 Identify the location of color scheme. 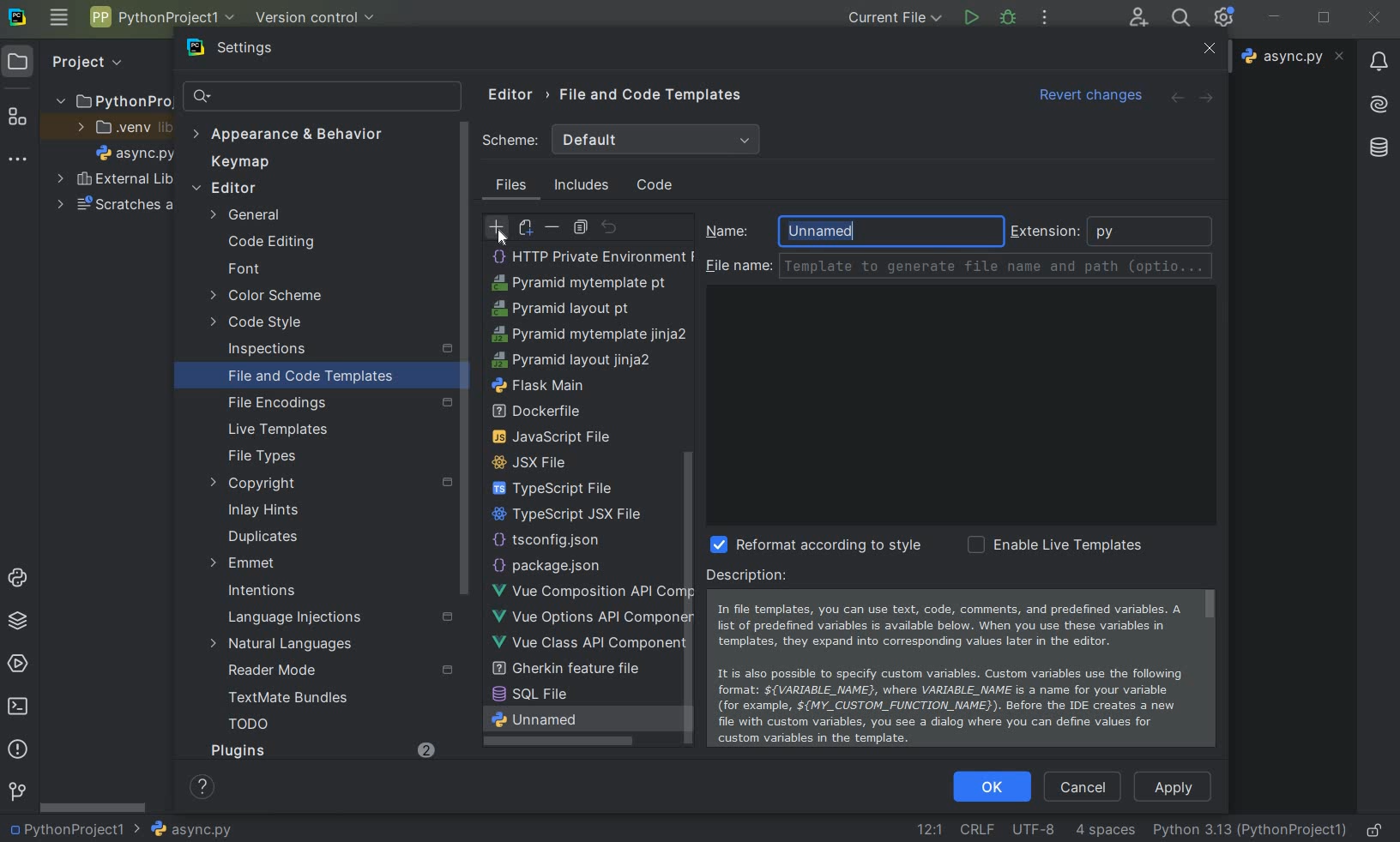
(278, 295).